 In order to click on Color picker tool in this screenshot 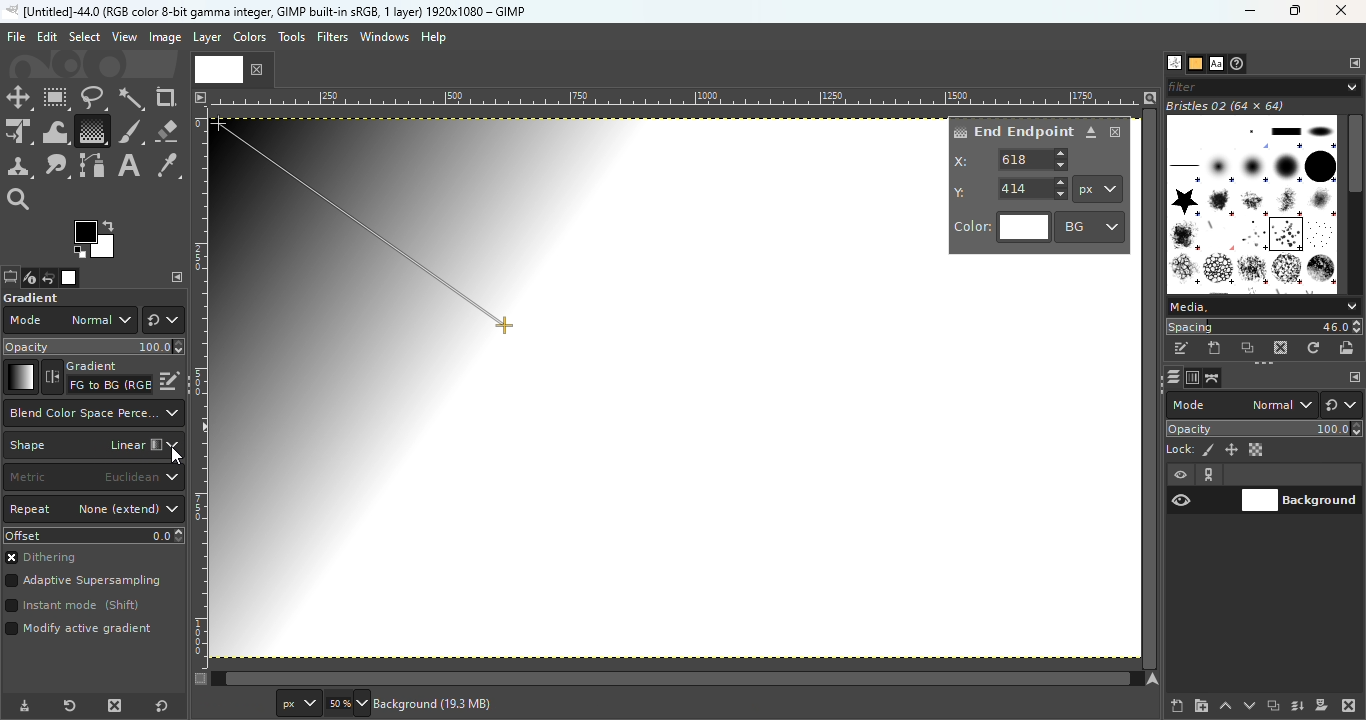, I will do `click(168, 167)`.